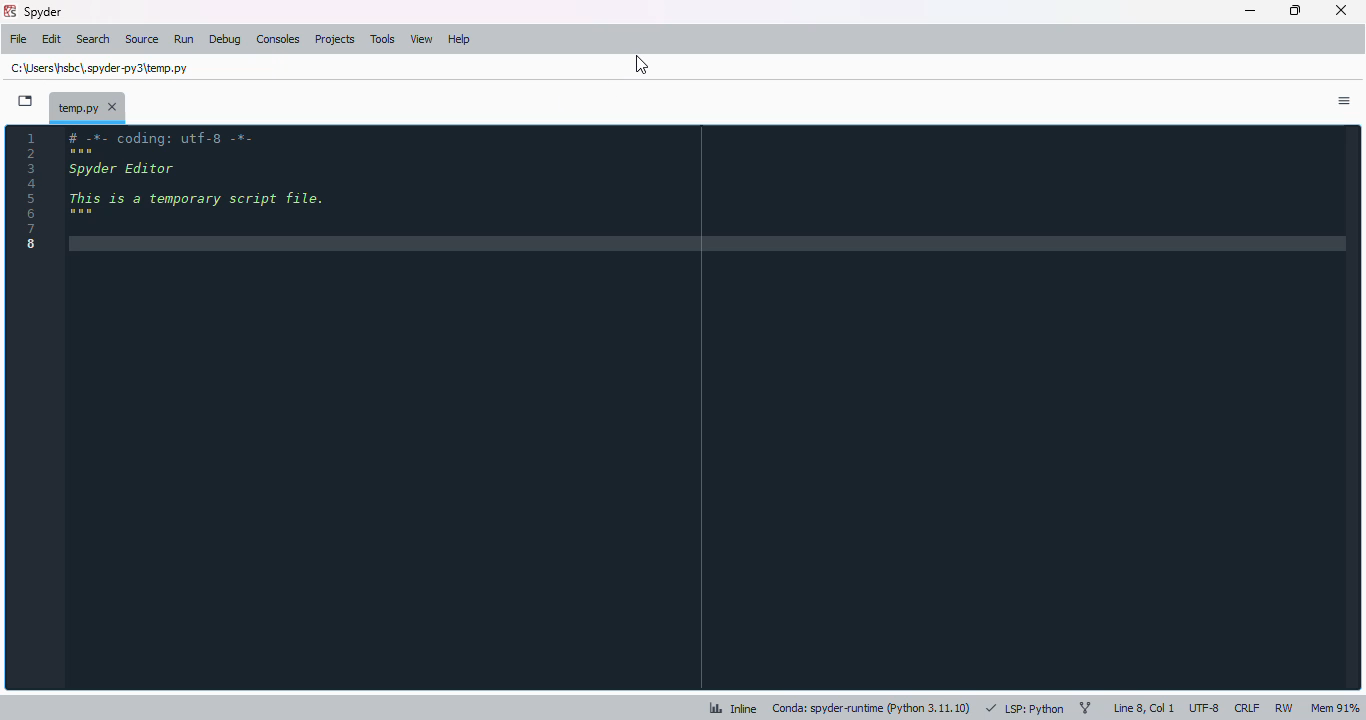 Image resolution: width=1366 pixels, height=720 pixels. What do you see at coordinates (1247, 707) in the screenshot?
I see `CRLF` at bounding box center [1247, 707].